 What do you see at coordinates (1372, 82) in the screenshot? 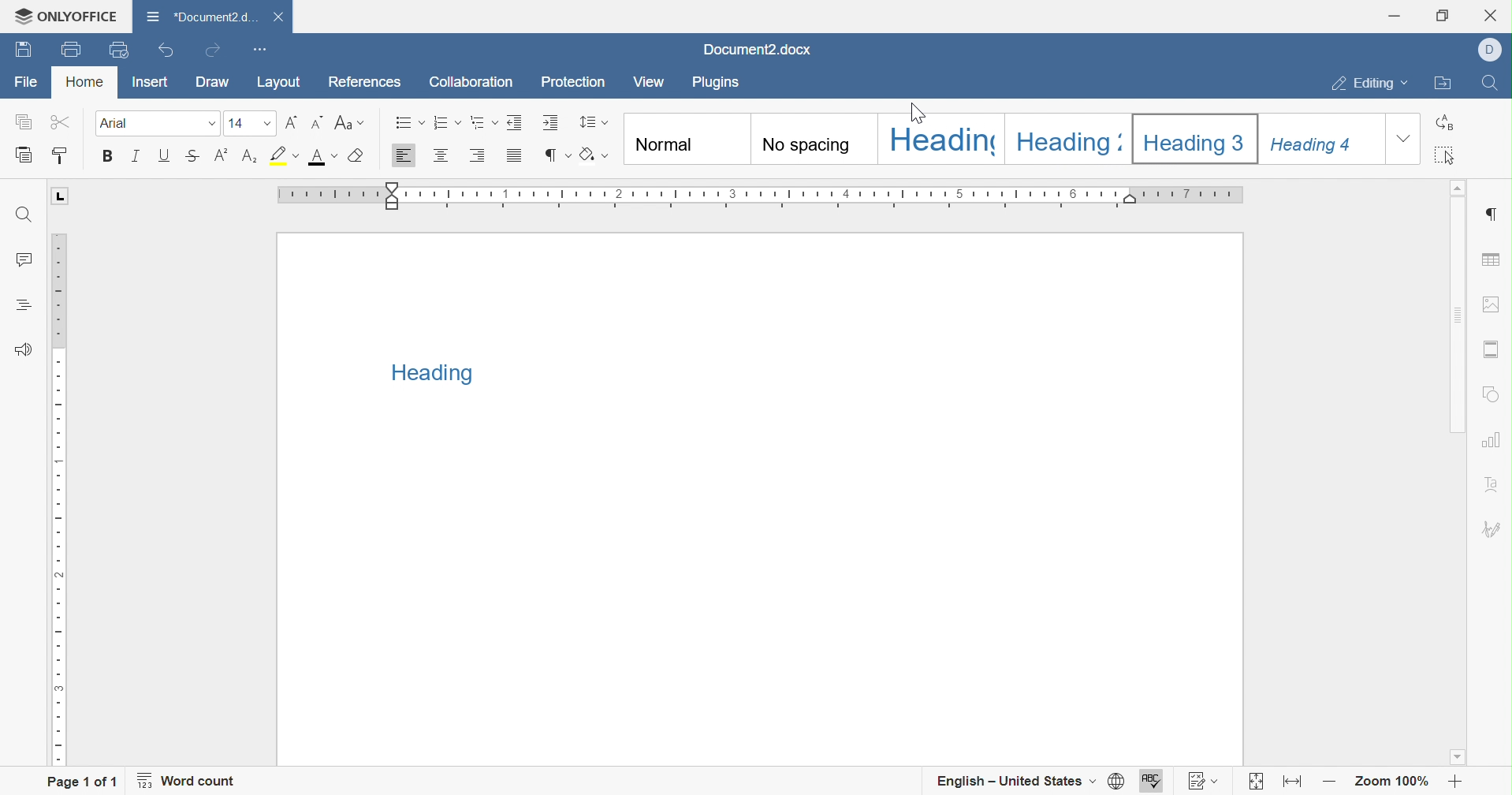
I see `Editing` at bounding box center [1372, 82].